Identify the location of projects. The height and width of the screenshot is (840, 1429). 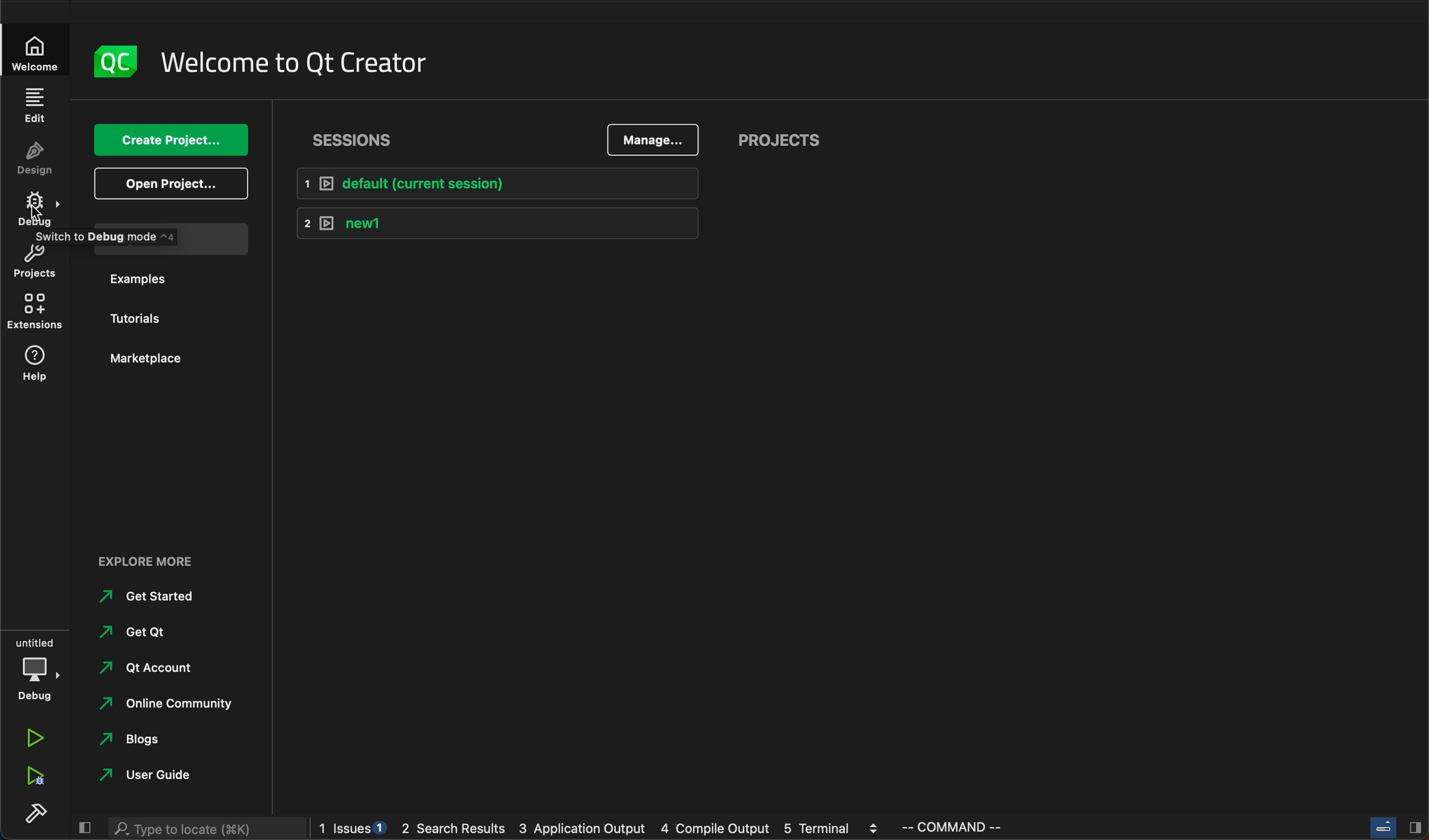
(776, 141).